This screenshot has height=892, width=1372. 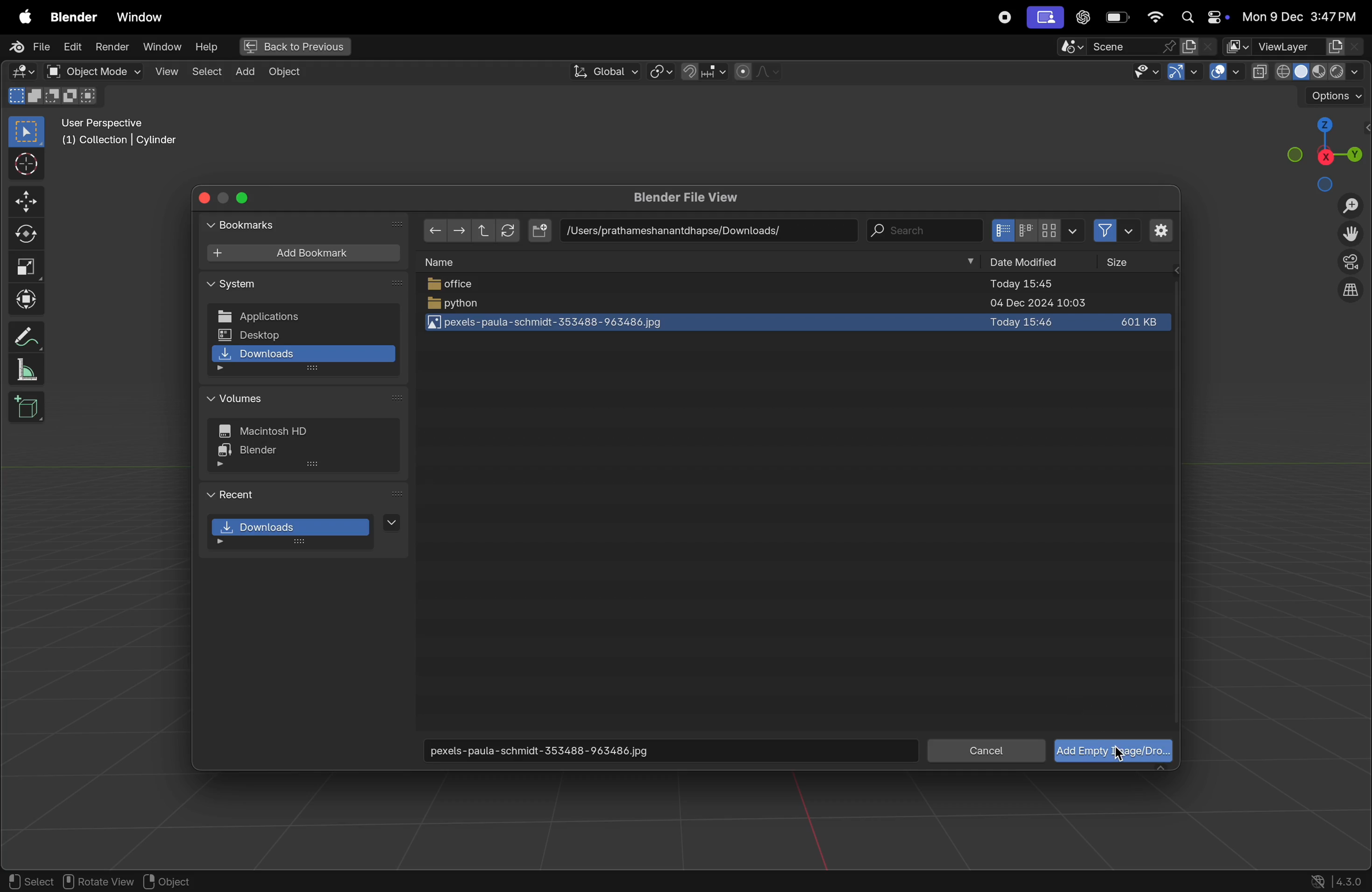 I want to click on hd, so click(x=270, y=432).